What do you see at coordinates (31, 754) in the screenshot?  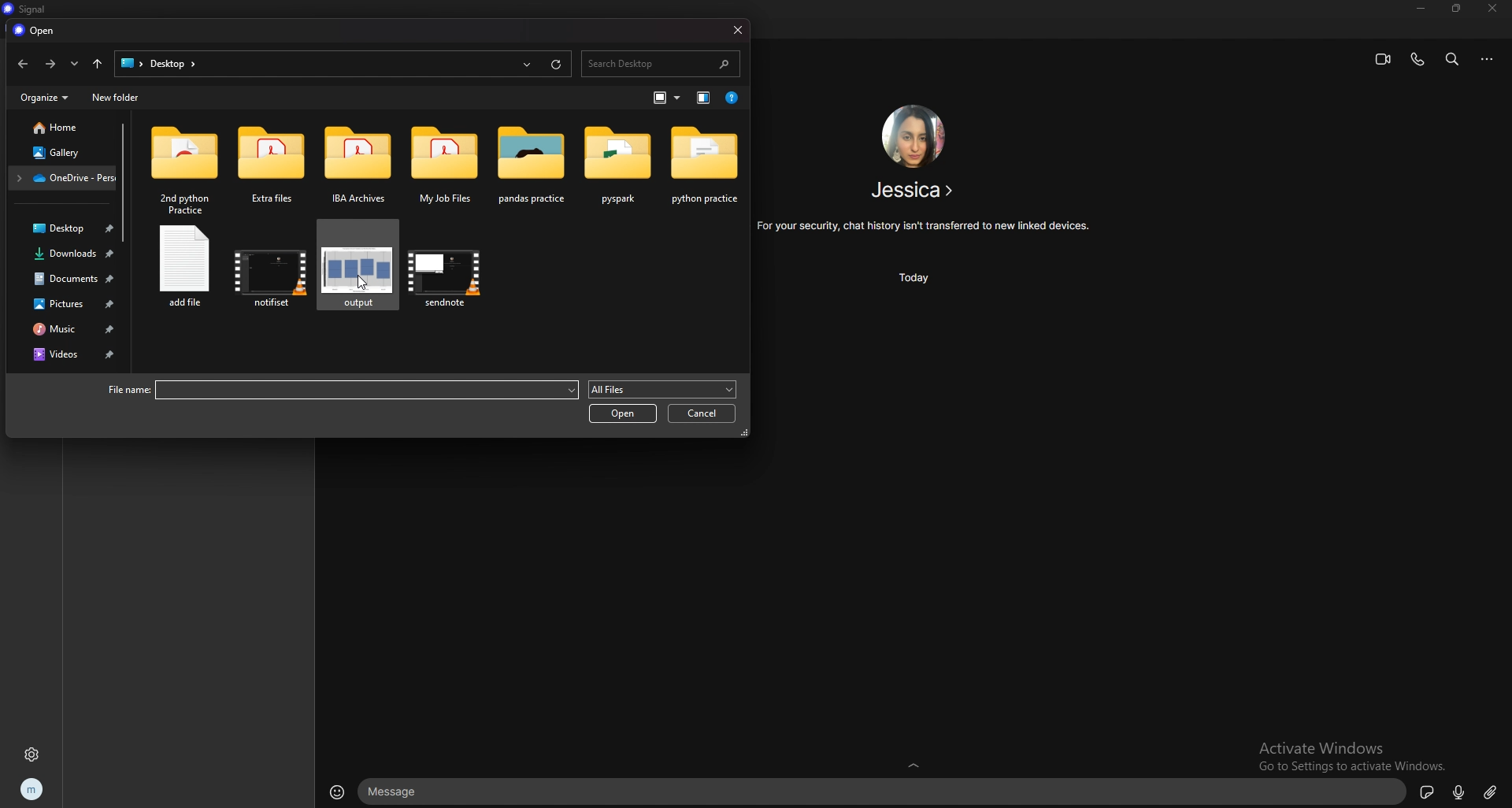 I see `settings` at bounding box center [31, 754].